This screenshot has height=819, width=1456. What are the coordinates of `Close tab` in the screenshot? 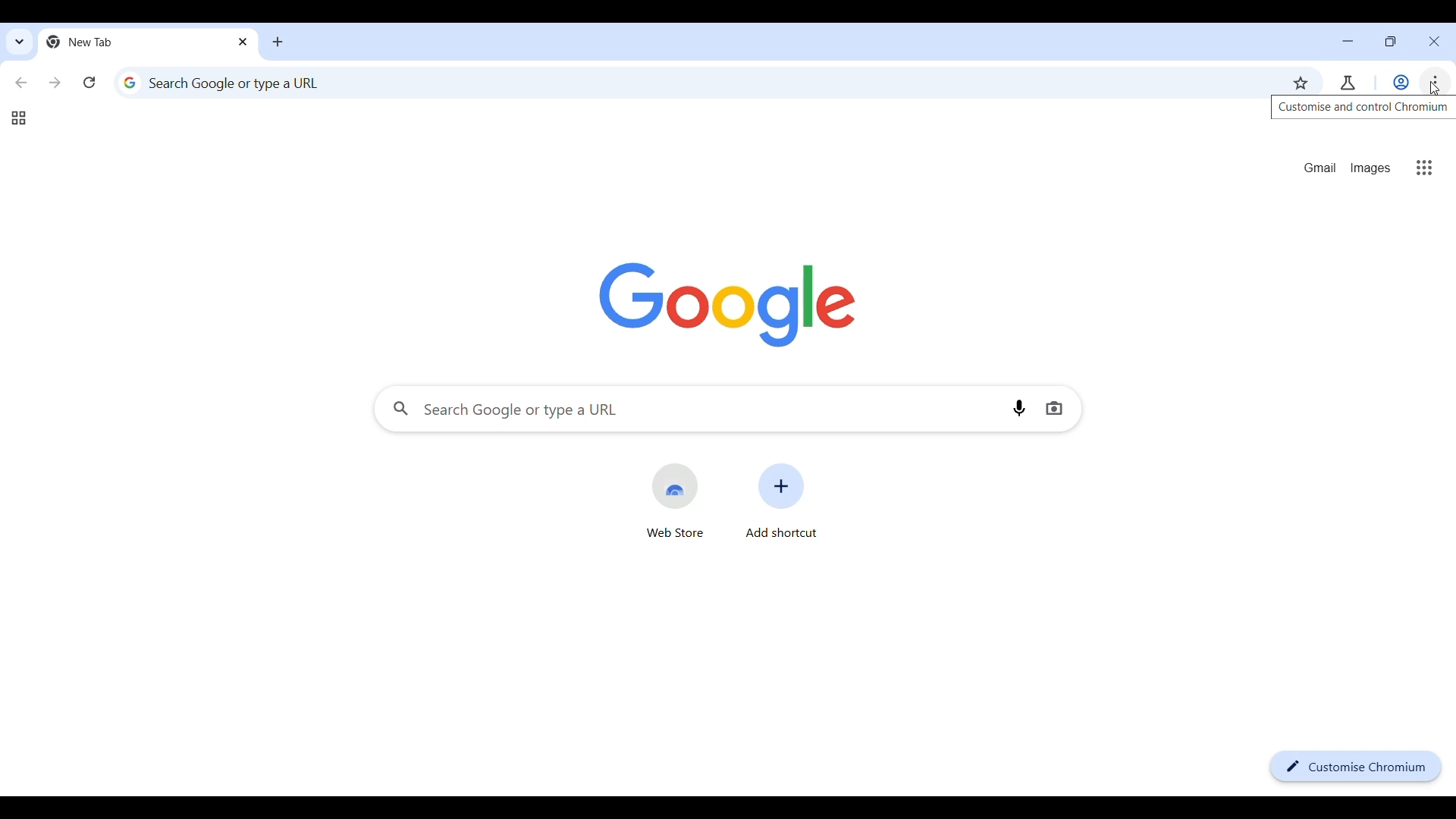 It's located at (243, 40).